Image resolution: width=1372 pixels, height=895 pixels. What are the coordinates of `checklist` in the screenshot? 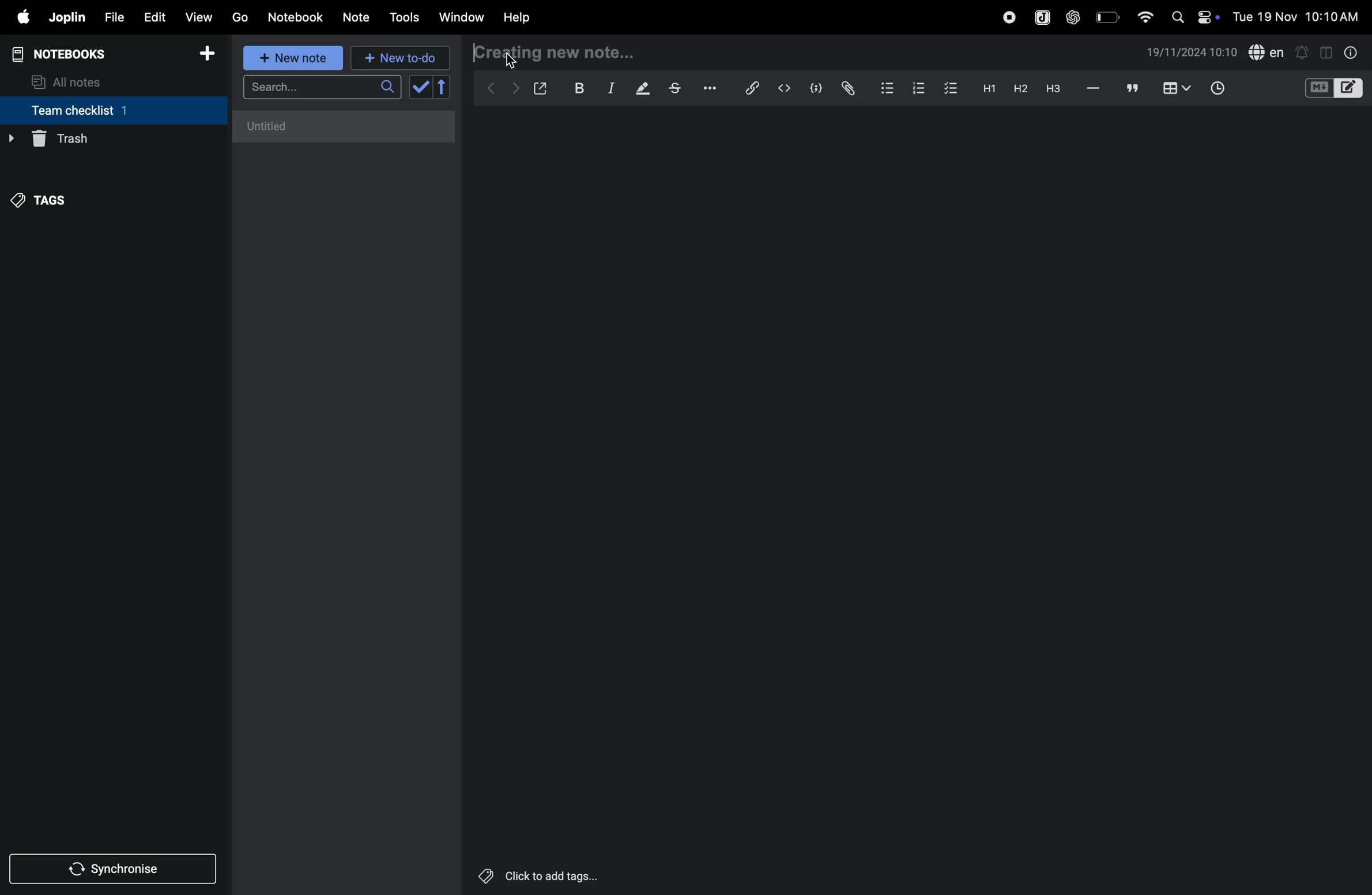 It's located at (952, 89).